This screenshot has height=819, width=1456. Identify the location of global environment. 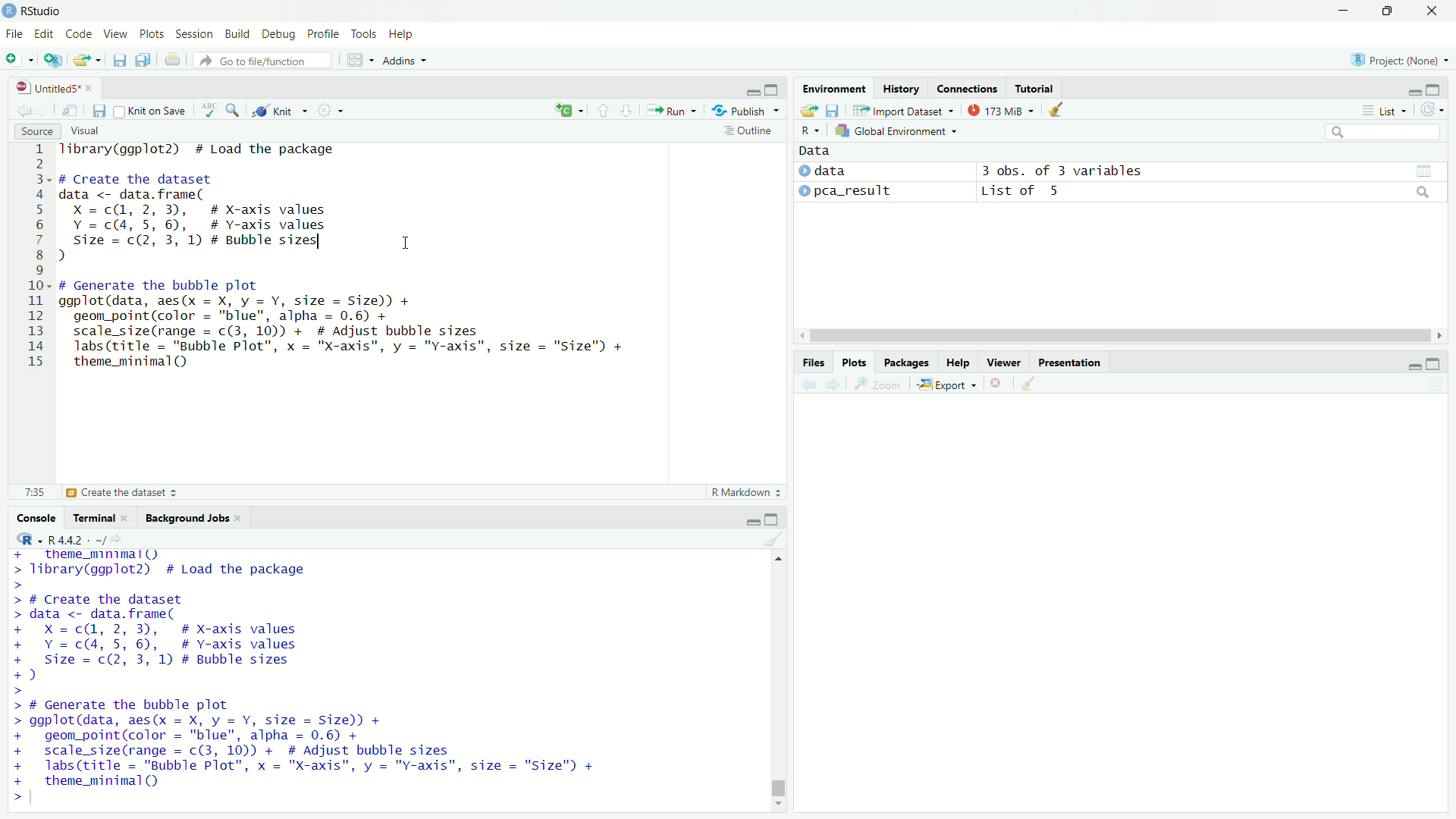
(899, 130).